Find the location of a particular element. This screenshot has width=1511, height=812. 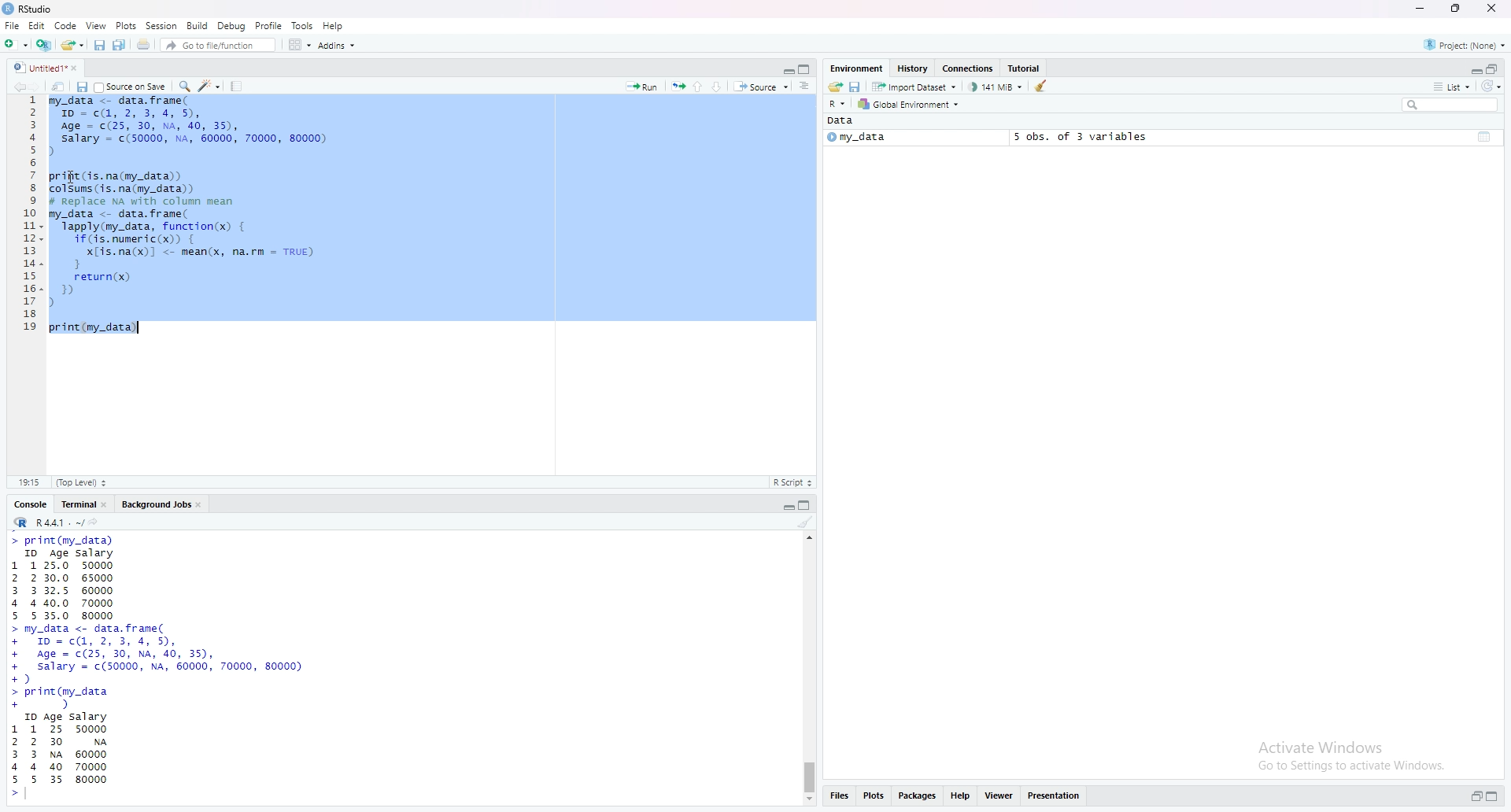

views is located at coordinates (1002, 795).